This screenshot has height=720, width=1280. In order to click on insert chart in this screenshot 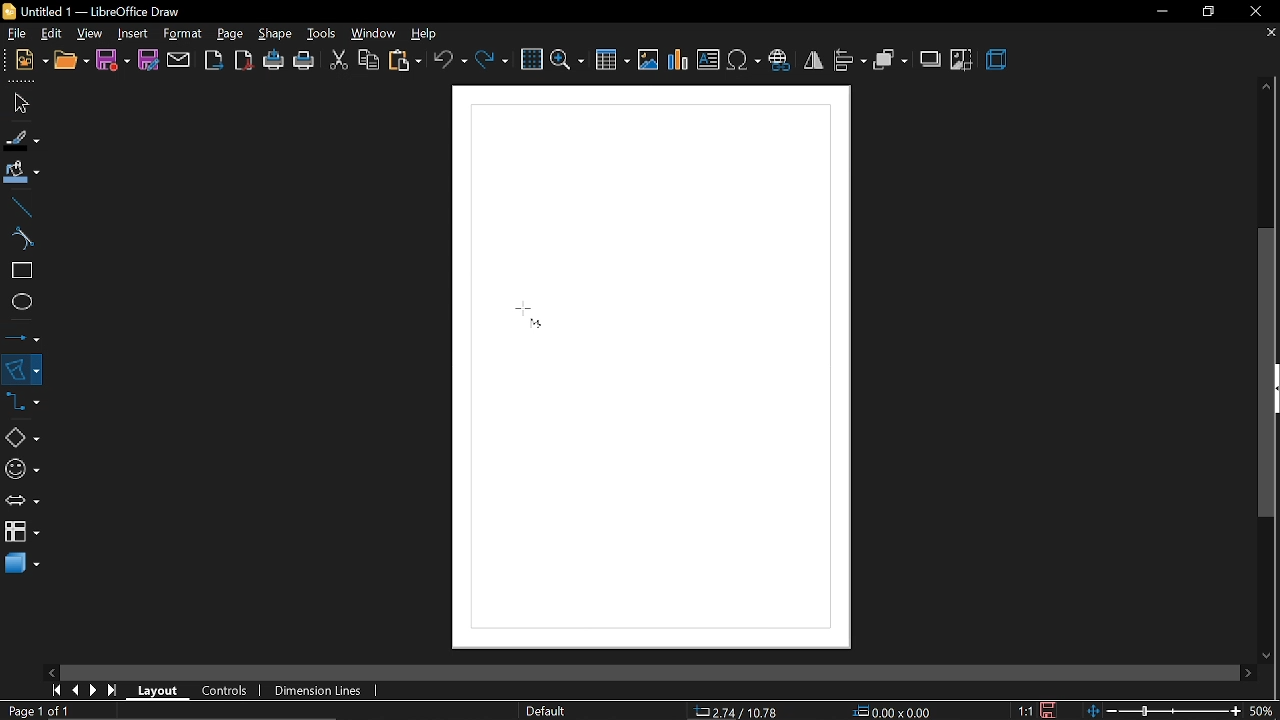, I will do `click(679, 60)`.